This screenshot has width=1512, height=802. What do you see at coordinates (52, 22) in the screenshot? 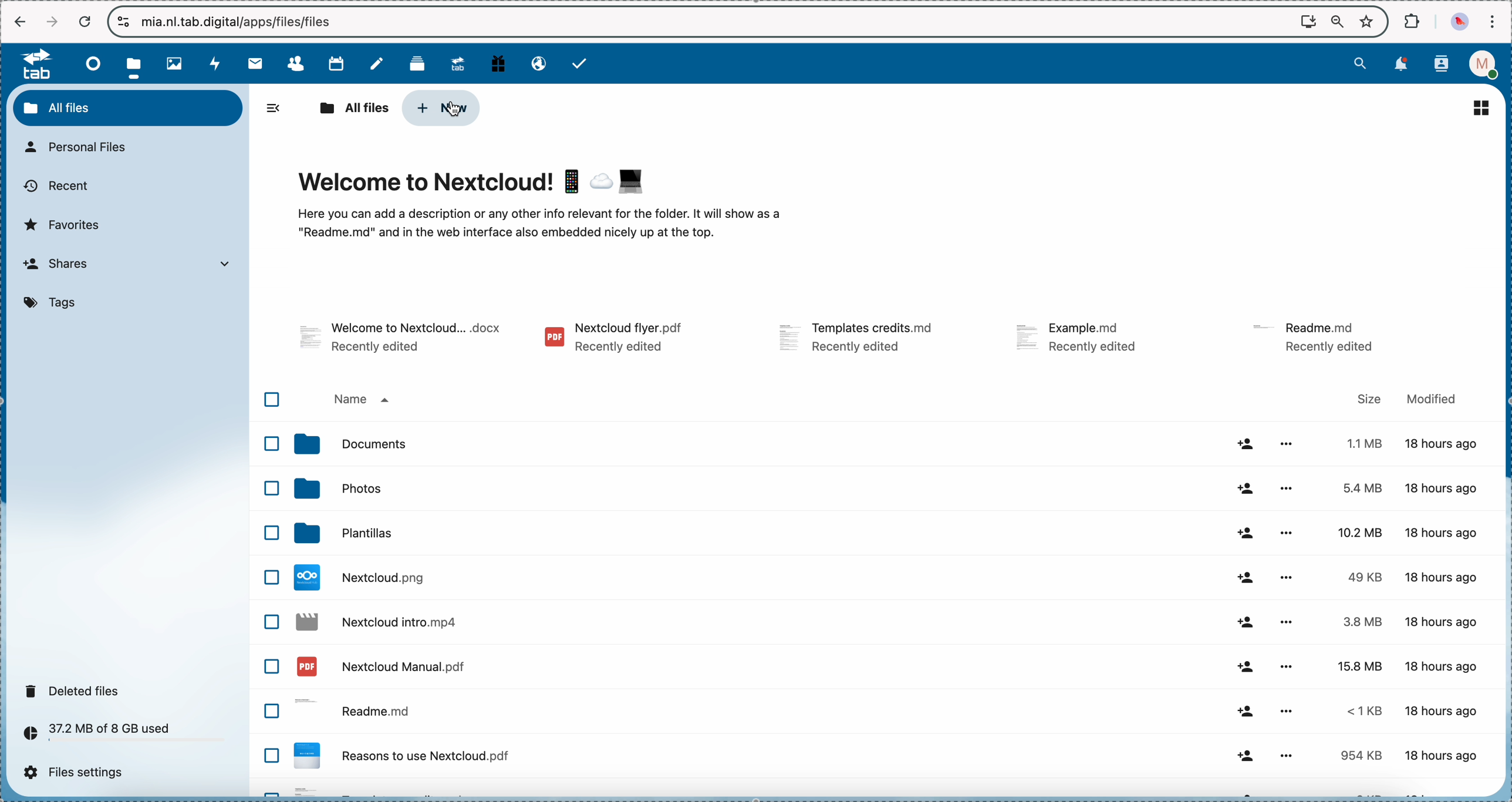
I see `navigate foward` at bounding box center [52, 22].